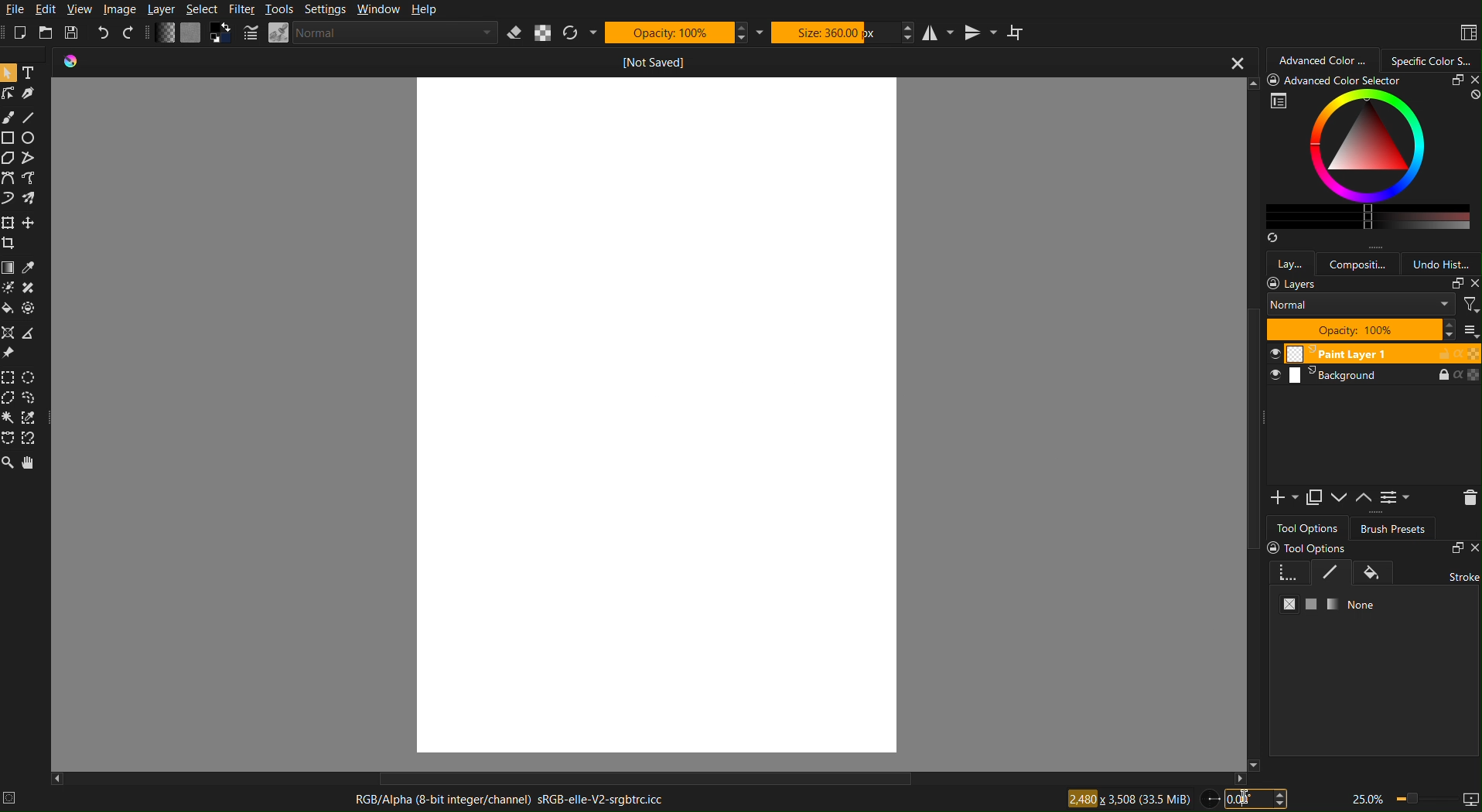  I want to click on Refresh, so click(579, 32).